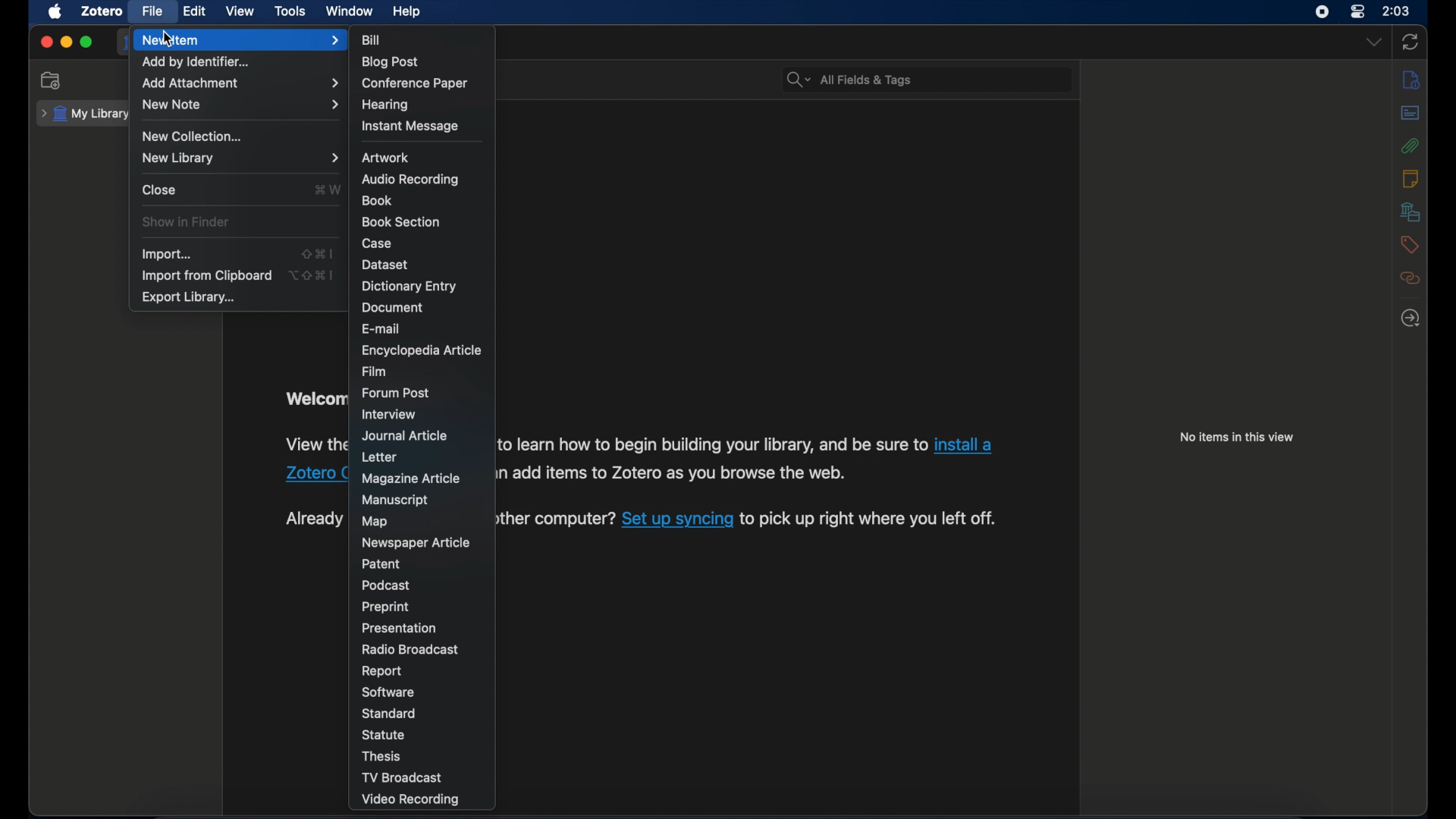 The width and height of the screenshot is (1456, 819). Describe the element at coordinates (403, 778) in the screenshot. I see `tv broadcast` at that location.